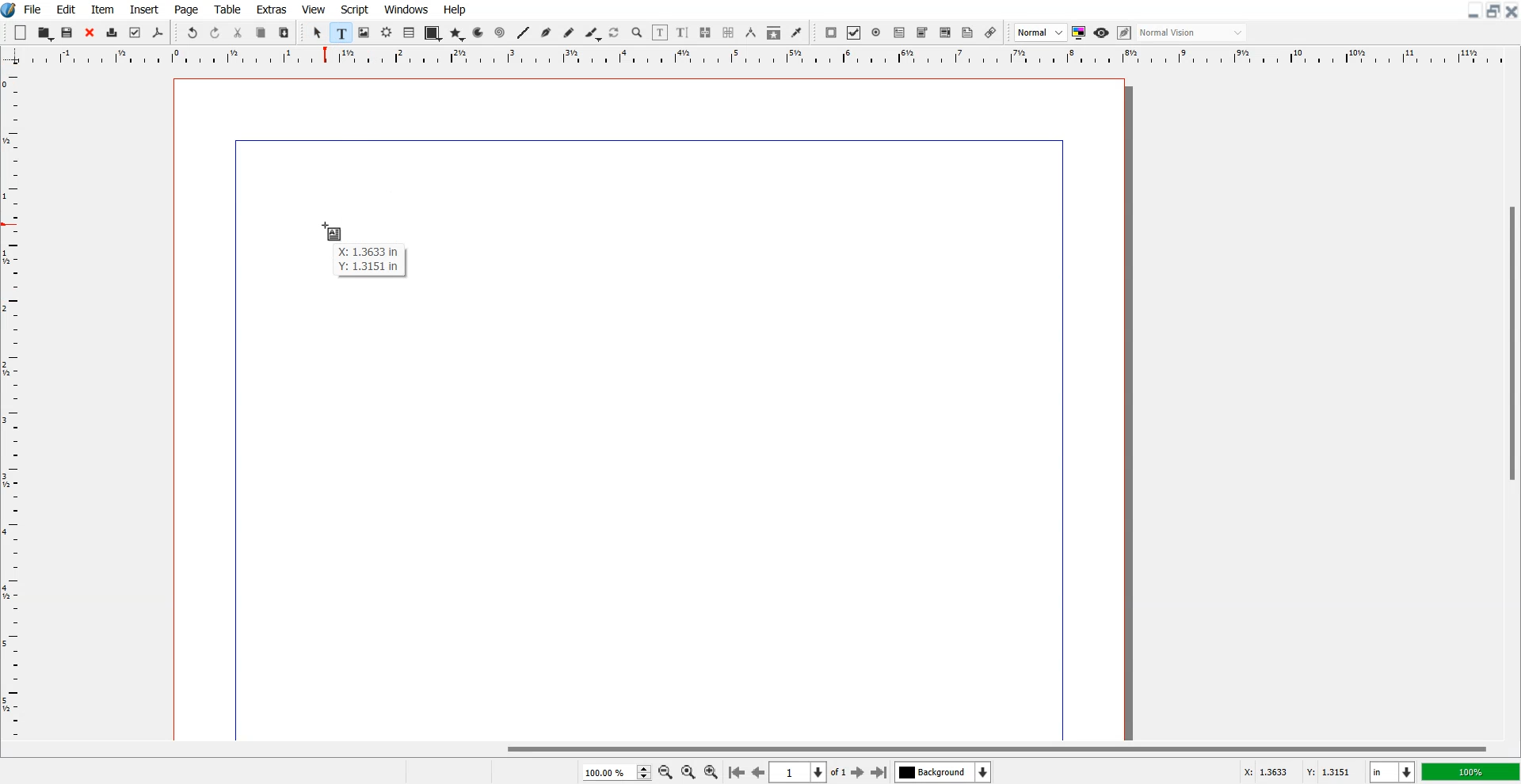 This screenshot has height=784, width=1521. I want to click on Select the current layer, so click(945, 772).